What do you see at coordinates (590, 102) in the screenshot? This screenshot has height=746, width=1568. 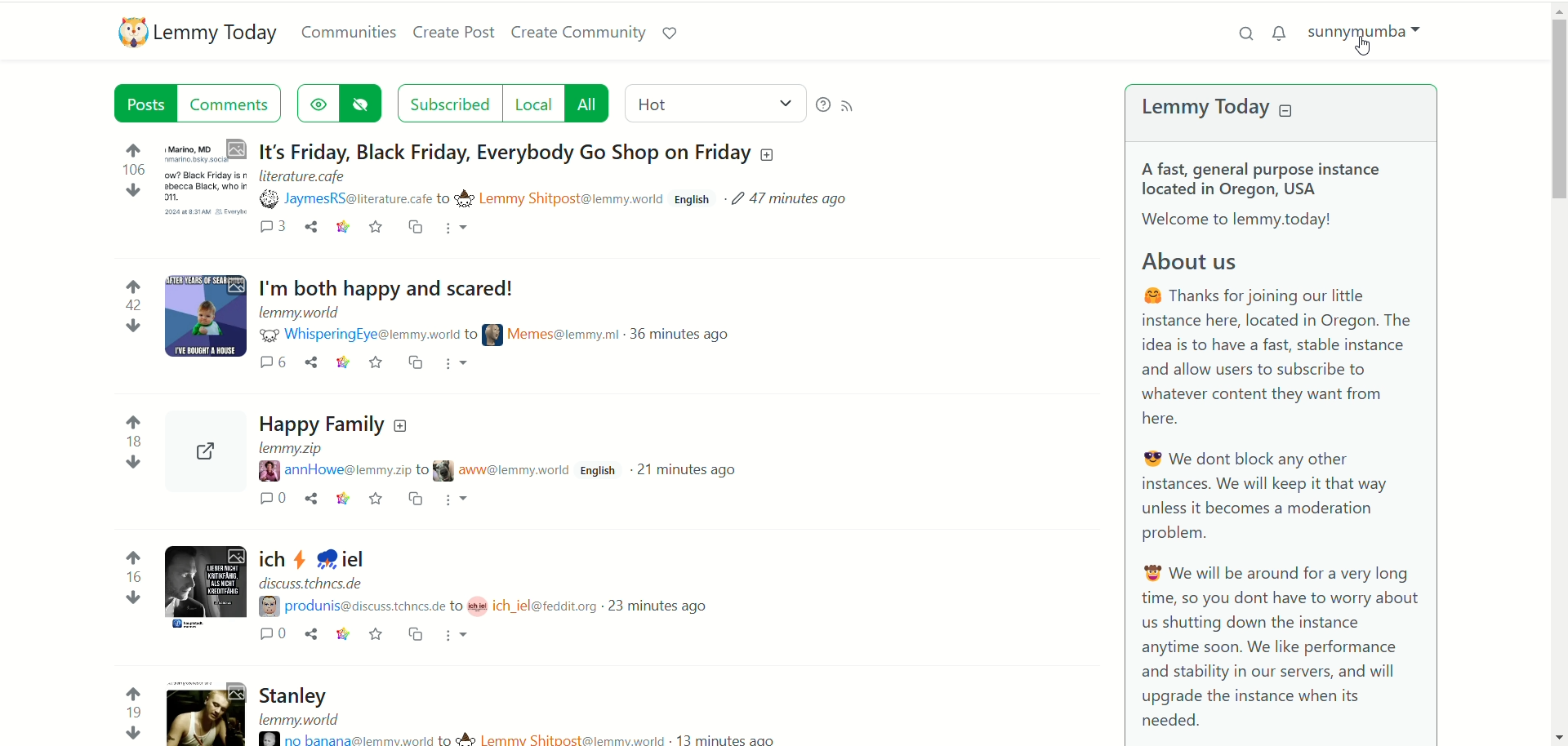 I see `all` at bounding box center [590, 102].